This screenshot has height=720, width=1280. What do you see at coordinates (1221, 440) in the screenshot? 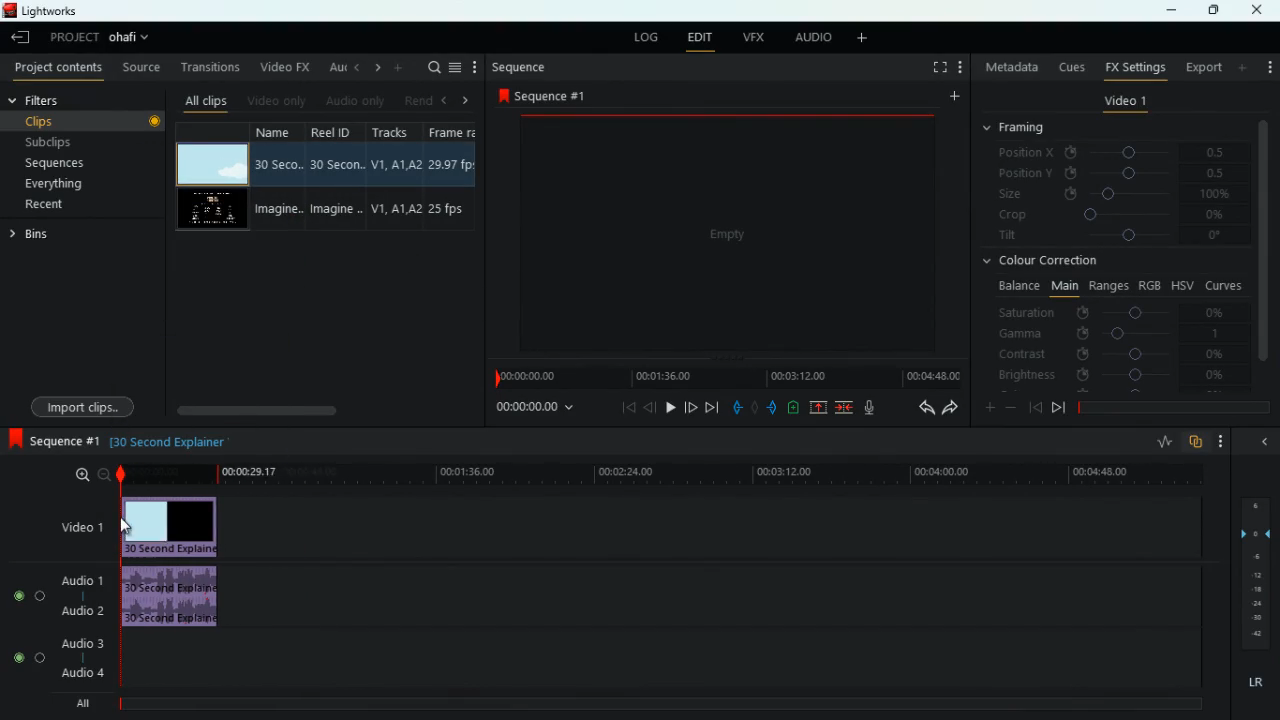
I see `more` at bounding box center [1221, 440].